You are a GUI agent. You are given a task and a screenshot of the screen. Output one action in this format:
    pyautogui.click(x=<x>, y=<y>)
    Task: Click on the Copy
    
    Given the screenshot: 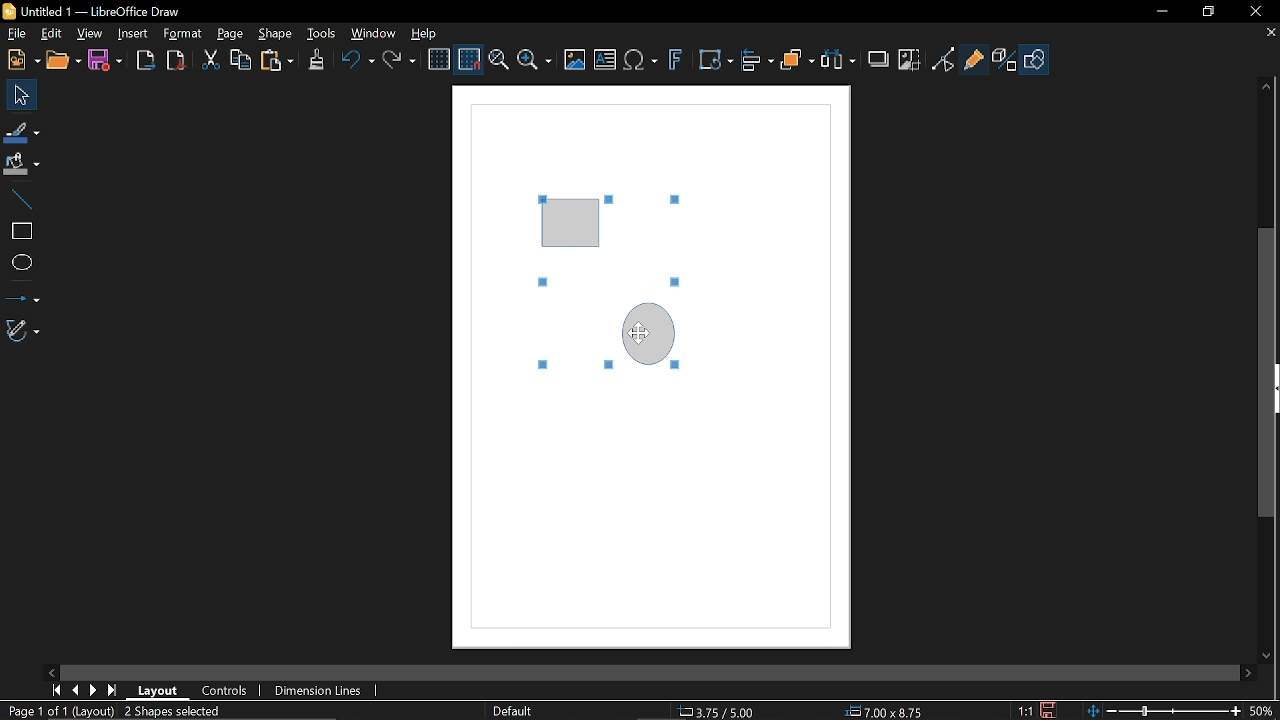 What is the action you would take?
    pyautogui.click(x=239, y=60)
    